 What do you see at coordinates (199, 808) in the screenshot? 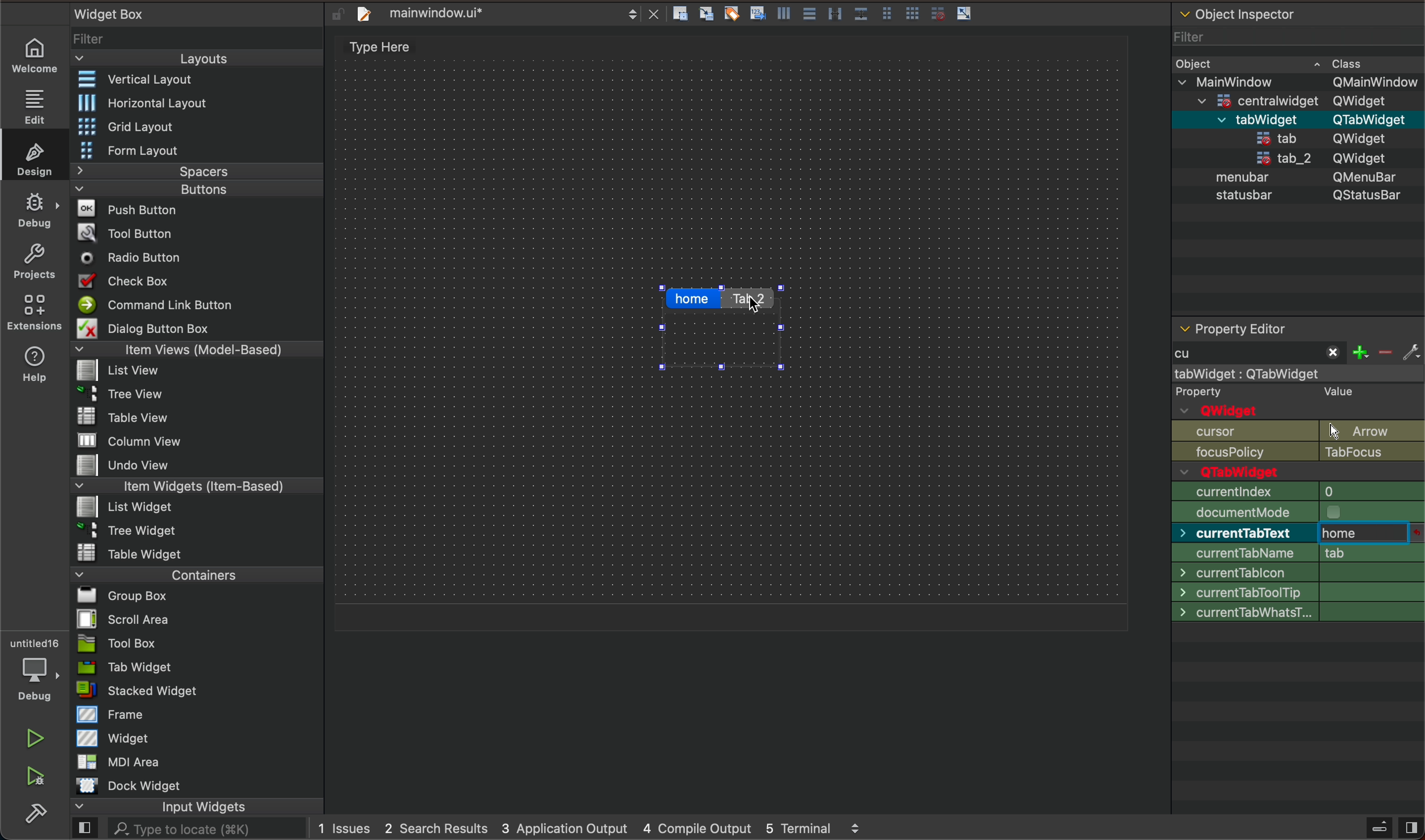
I see `input widgets` at bounding box center [199, 808].